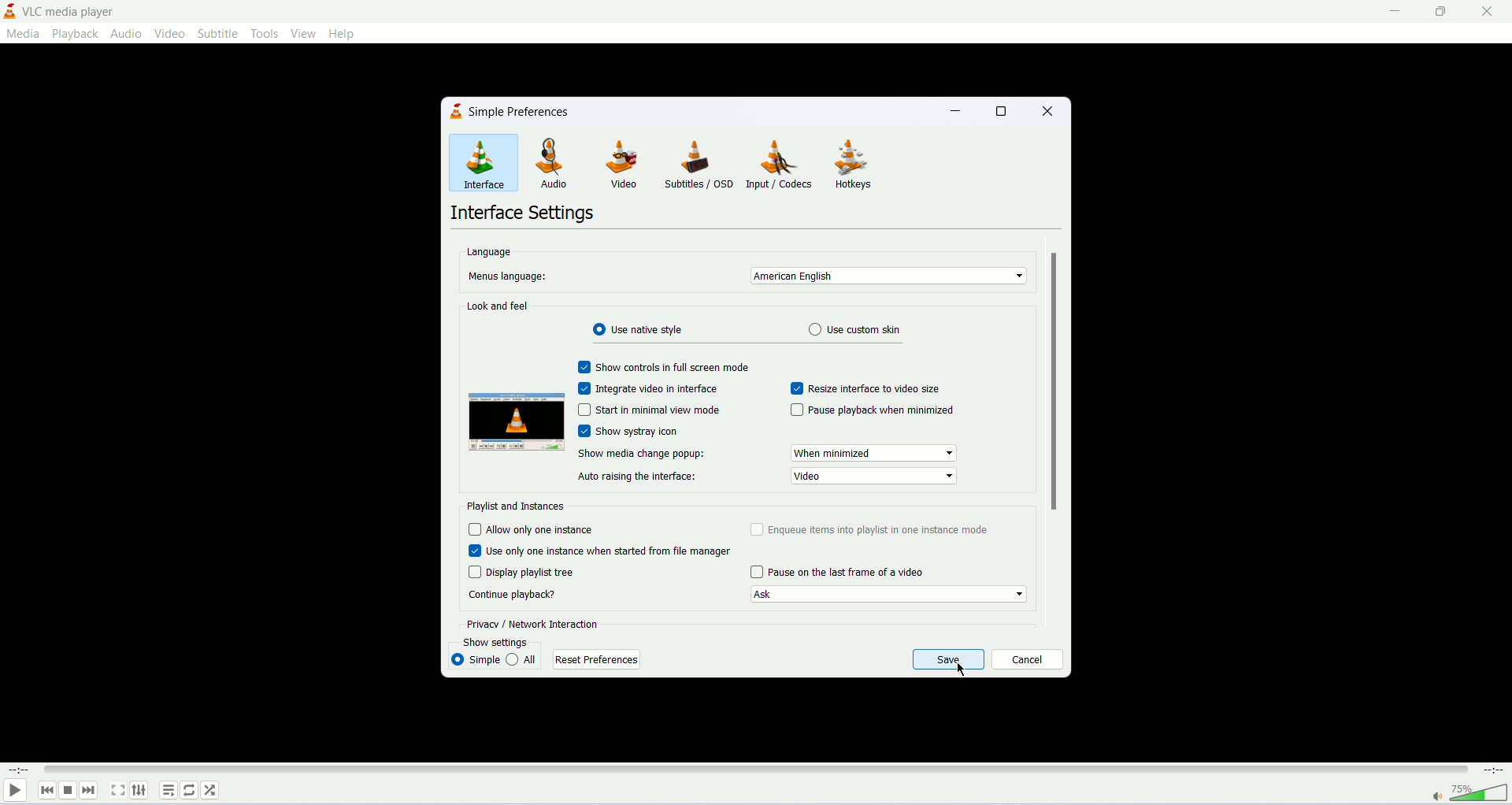  Describe the element at coordinates (265, 34) in the screenshot. I see `tools` at that location.